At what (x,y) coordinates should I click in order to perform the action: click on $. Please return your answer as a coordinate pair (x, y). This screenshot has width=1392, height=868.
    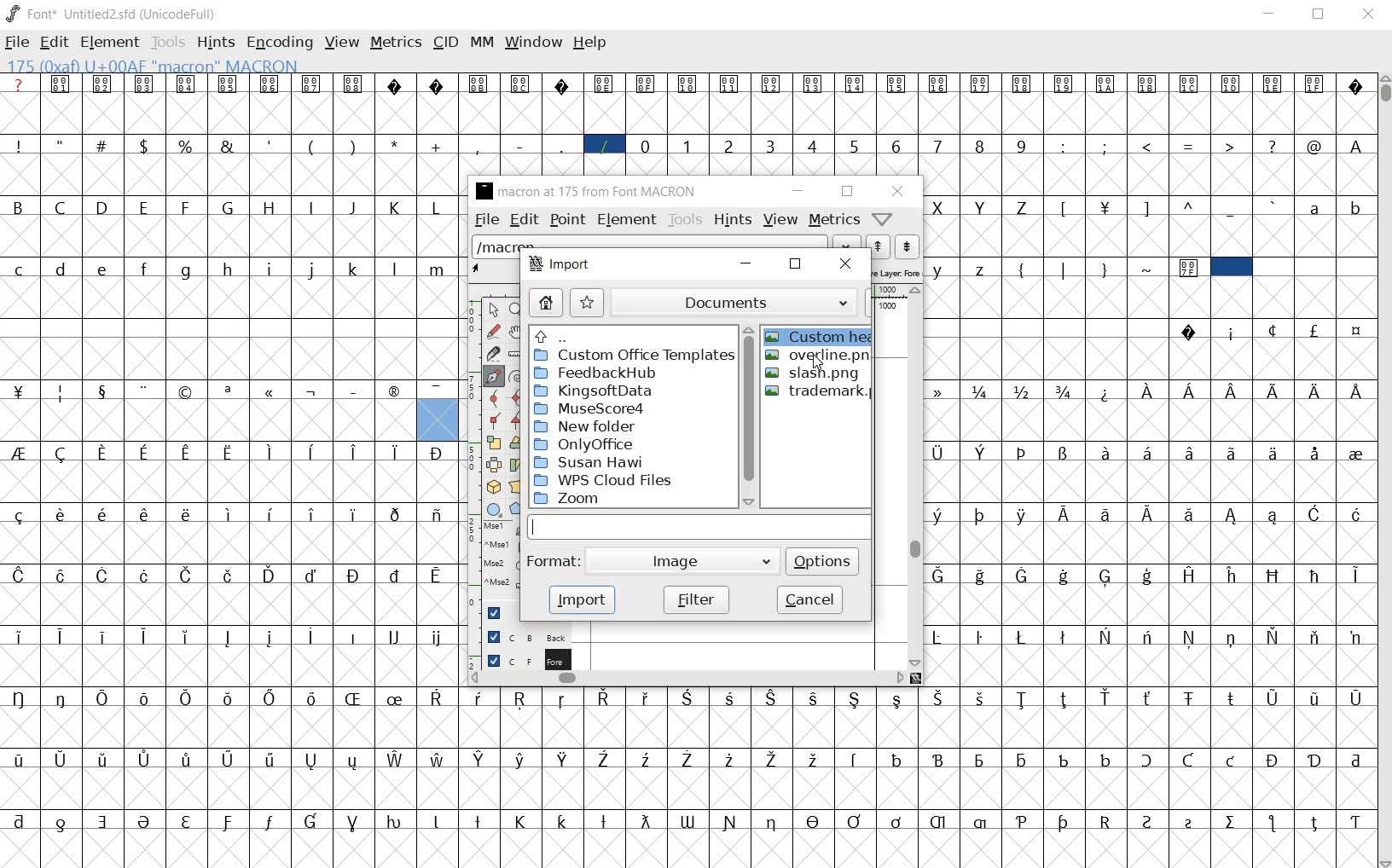
    Looking at the image, I should click on (146, 146).